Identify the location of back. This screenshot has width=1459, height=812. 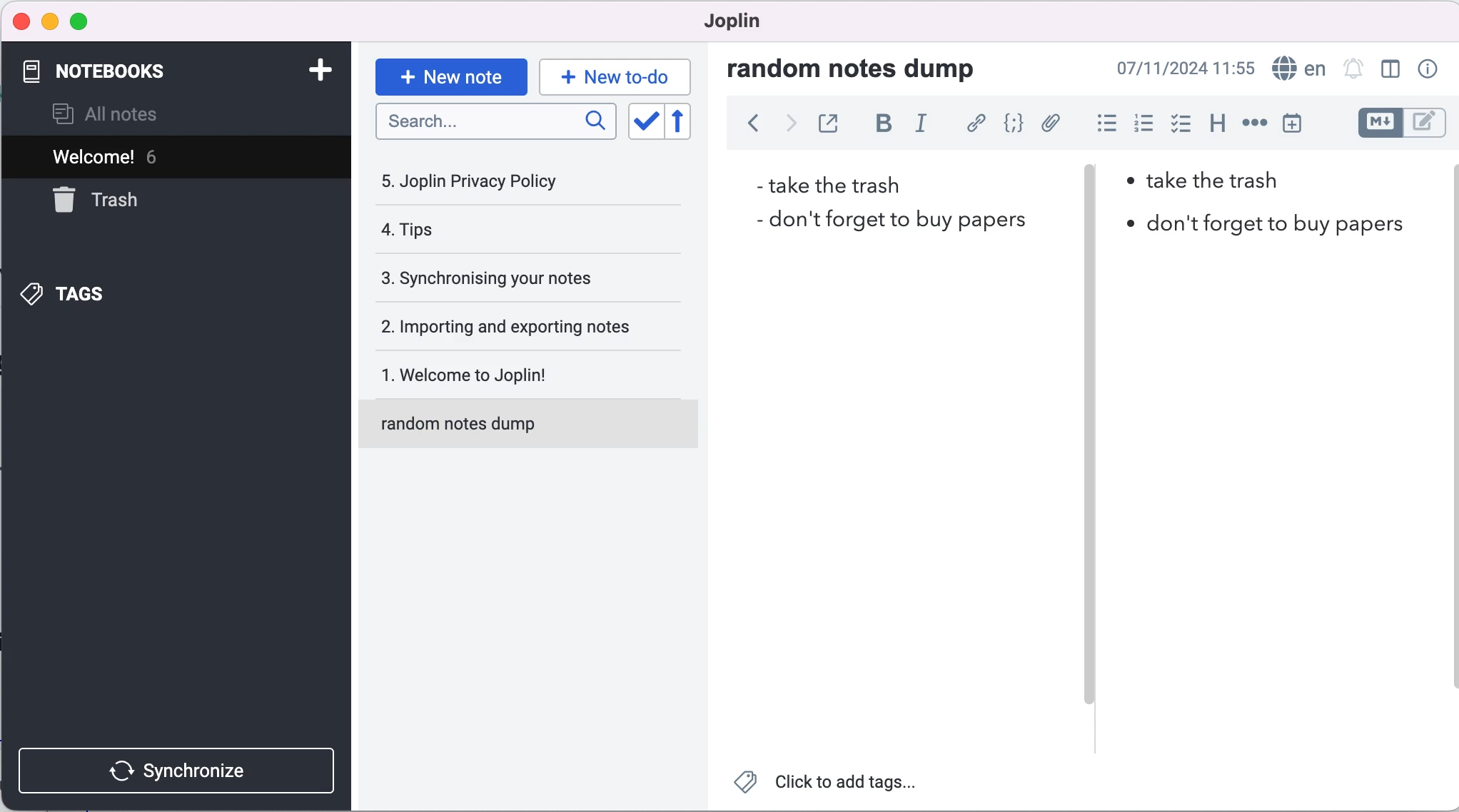
(746, 128).